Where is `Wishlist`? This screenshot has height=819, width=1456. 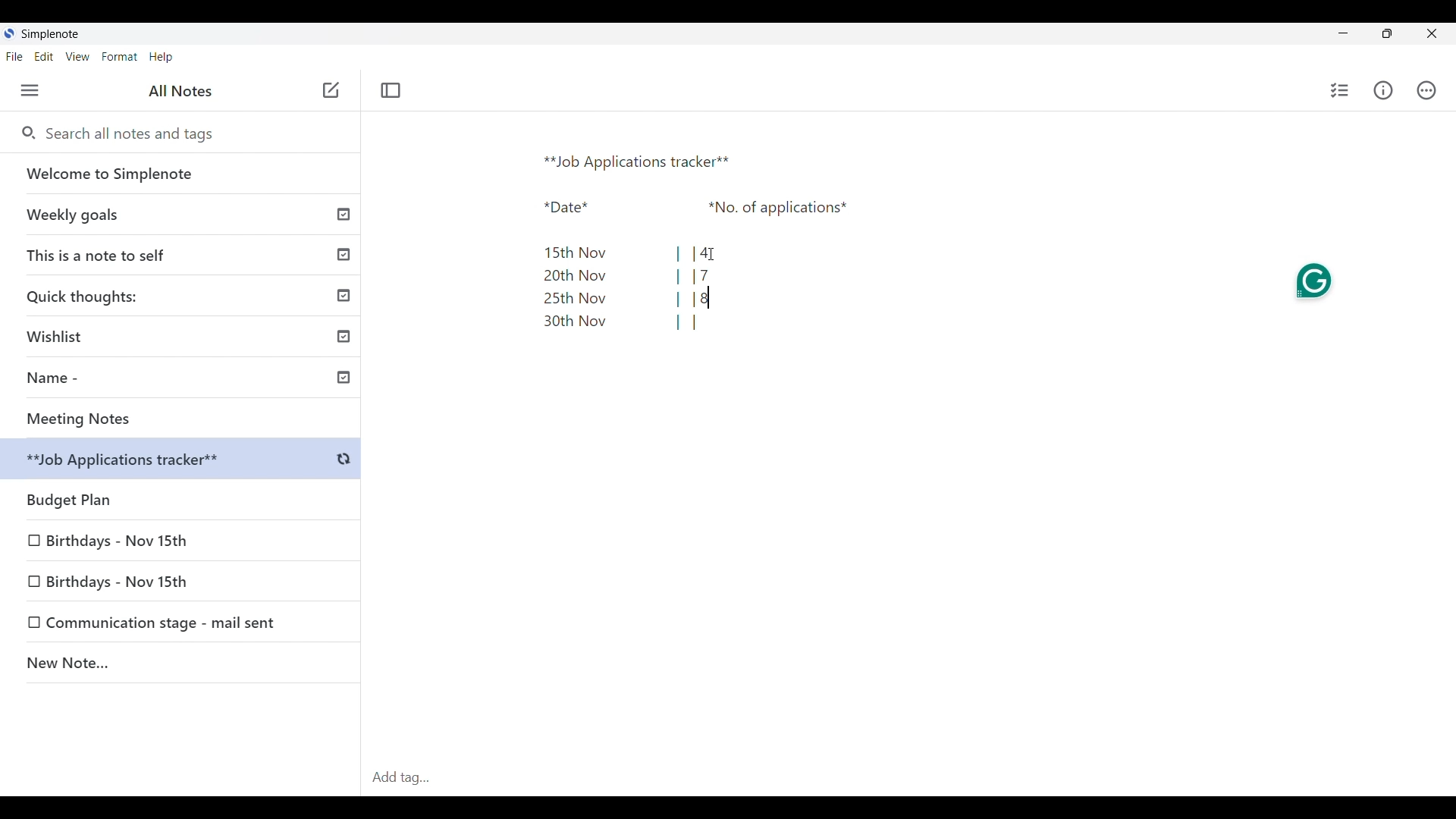
Wishlist is located at coordinates (186, 334).